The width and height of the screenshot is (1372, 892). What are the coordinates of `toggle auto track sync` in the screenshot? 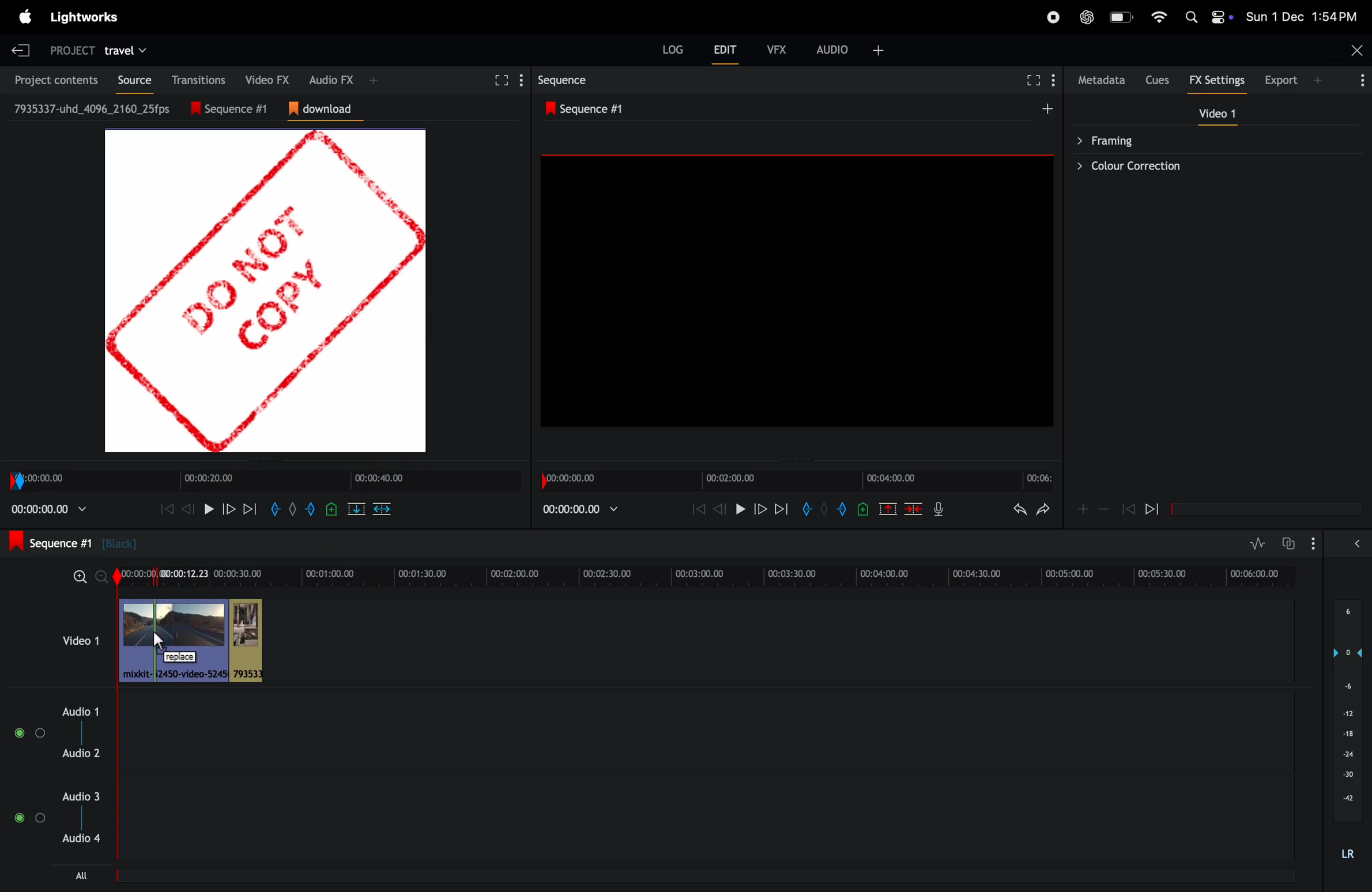 It's located at (1287, 543).